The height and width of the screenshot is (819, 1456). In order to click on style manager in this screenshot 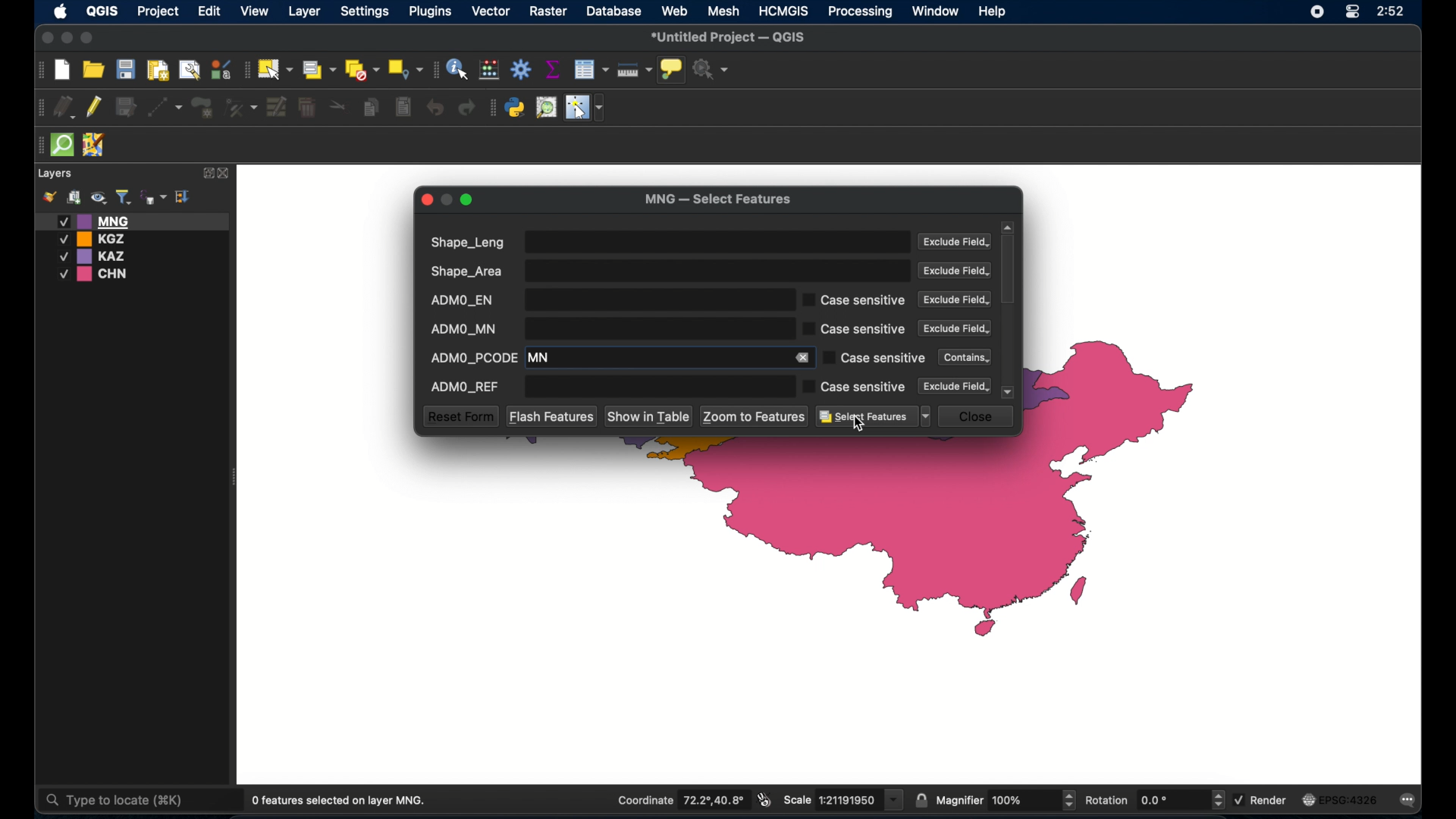, I will do `click(221, 67)`.